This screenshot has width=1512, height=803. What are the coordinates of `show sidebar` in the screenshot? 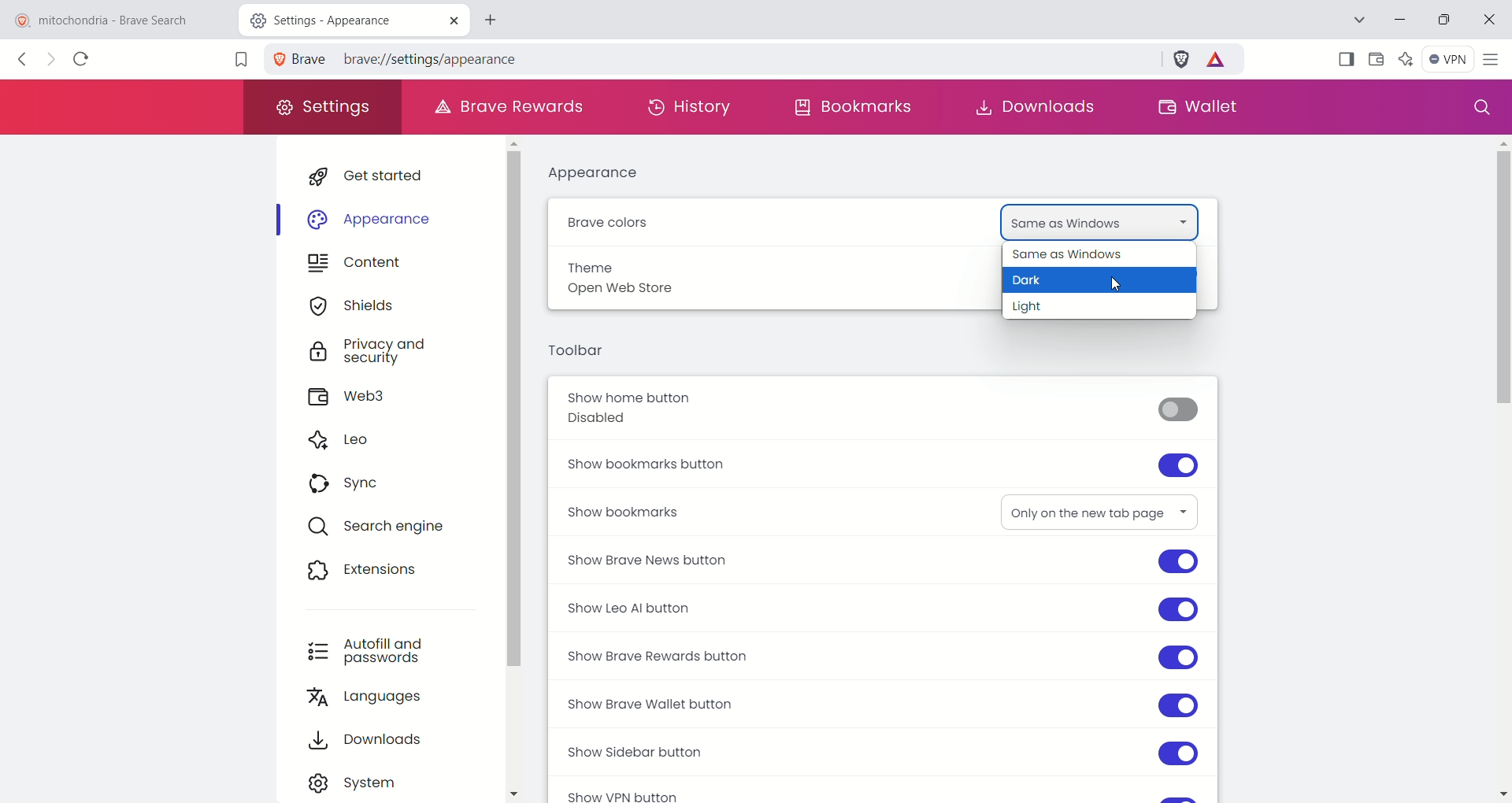 It's located at (1344, 57).